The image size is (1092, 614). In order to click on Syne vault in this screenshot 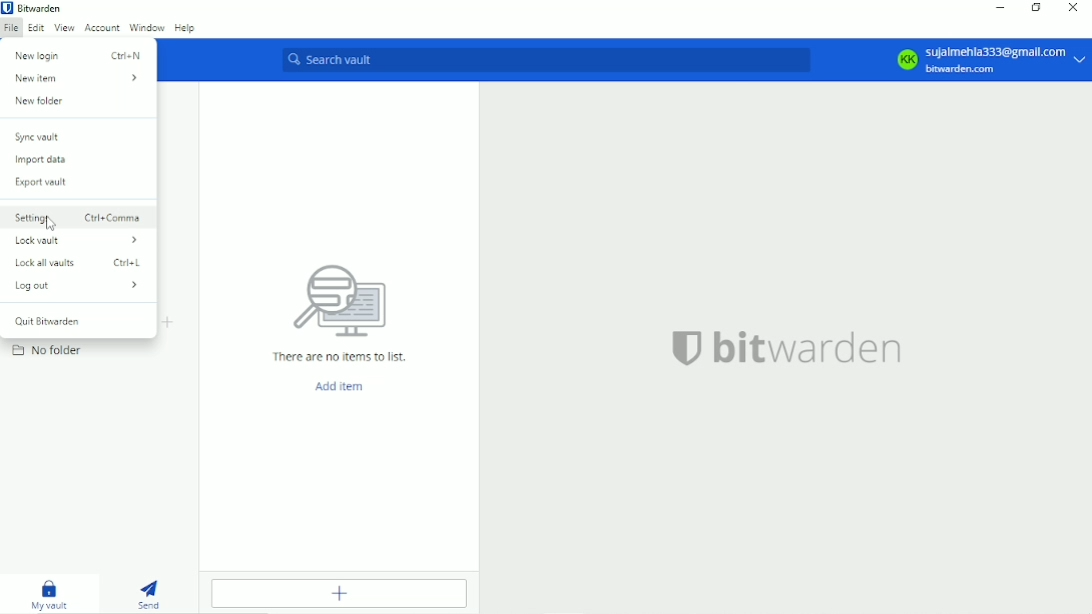, I will do `click(36, 138)`.